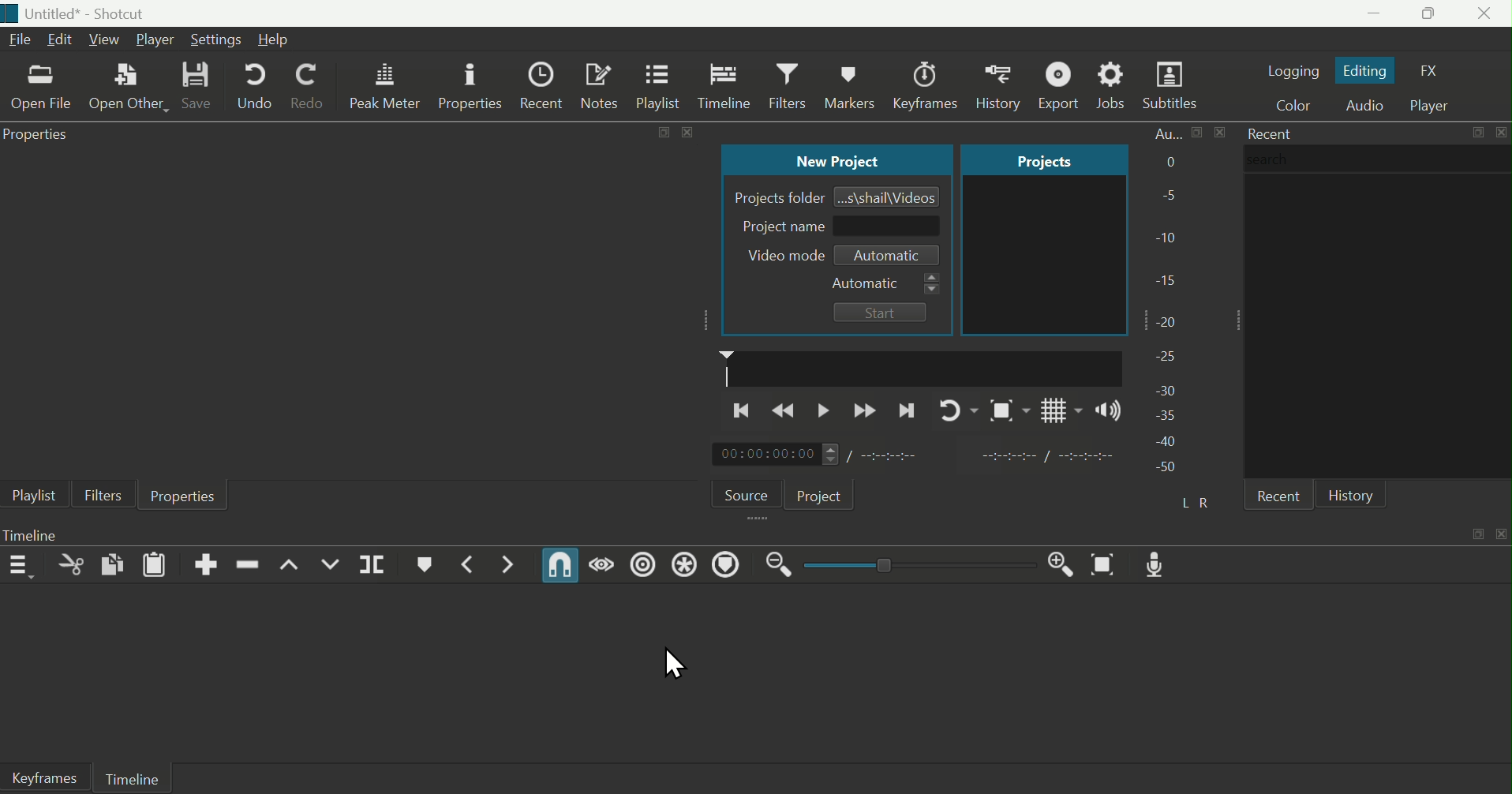  What do you see at coordinates (155, 566) in the screenshot?
I see `Paste` at bounding box center [155, 566].